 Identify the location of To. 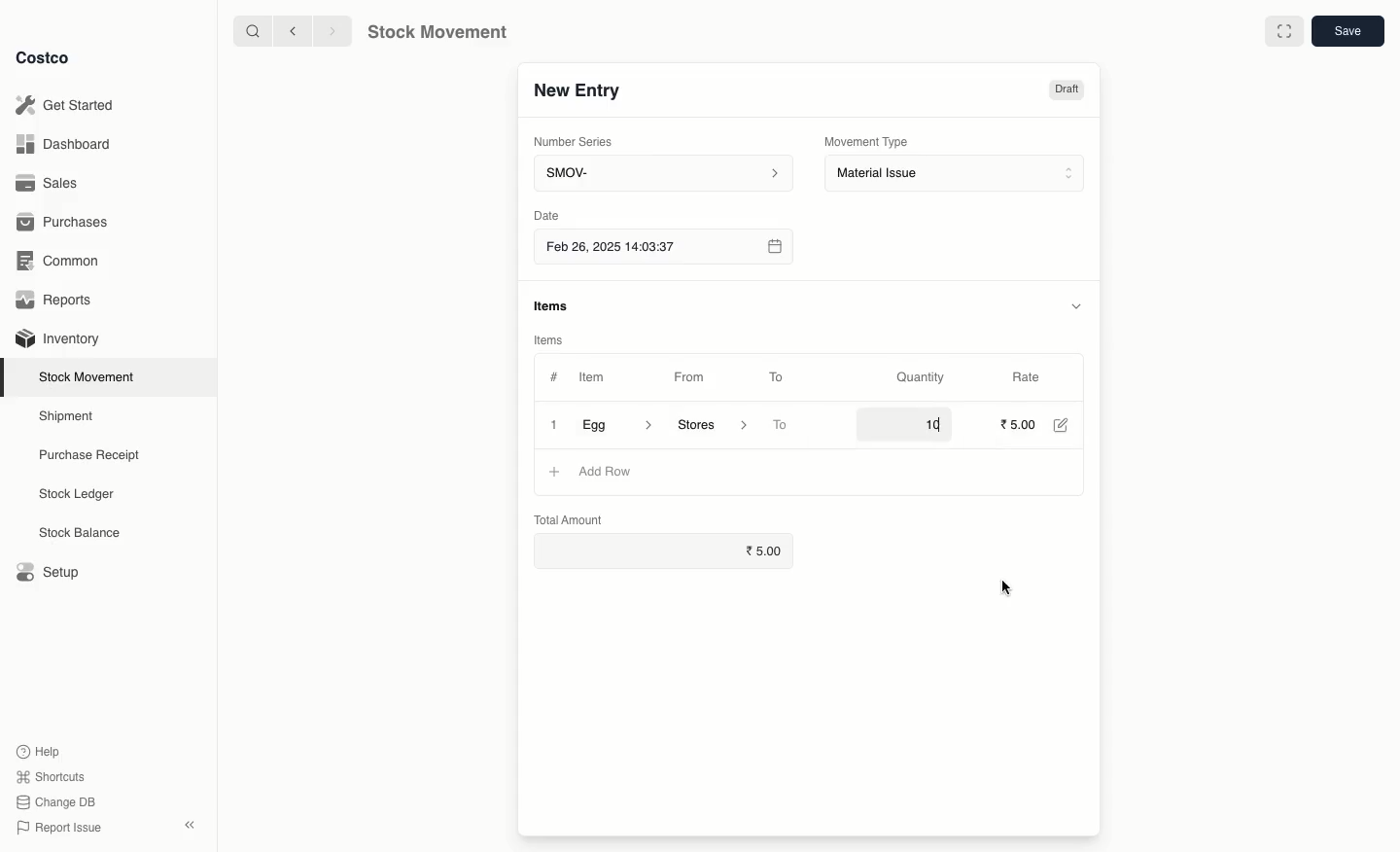
(782, 426).